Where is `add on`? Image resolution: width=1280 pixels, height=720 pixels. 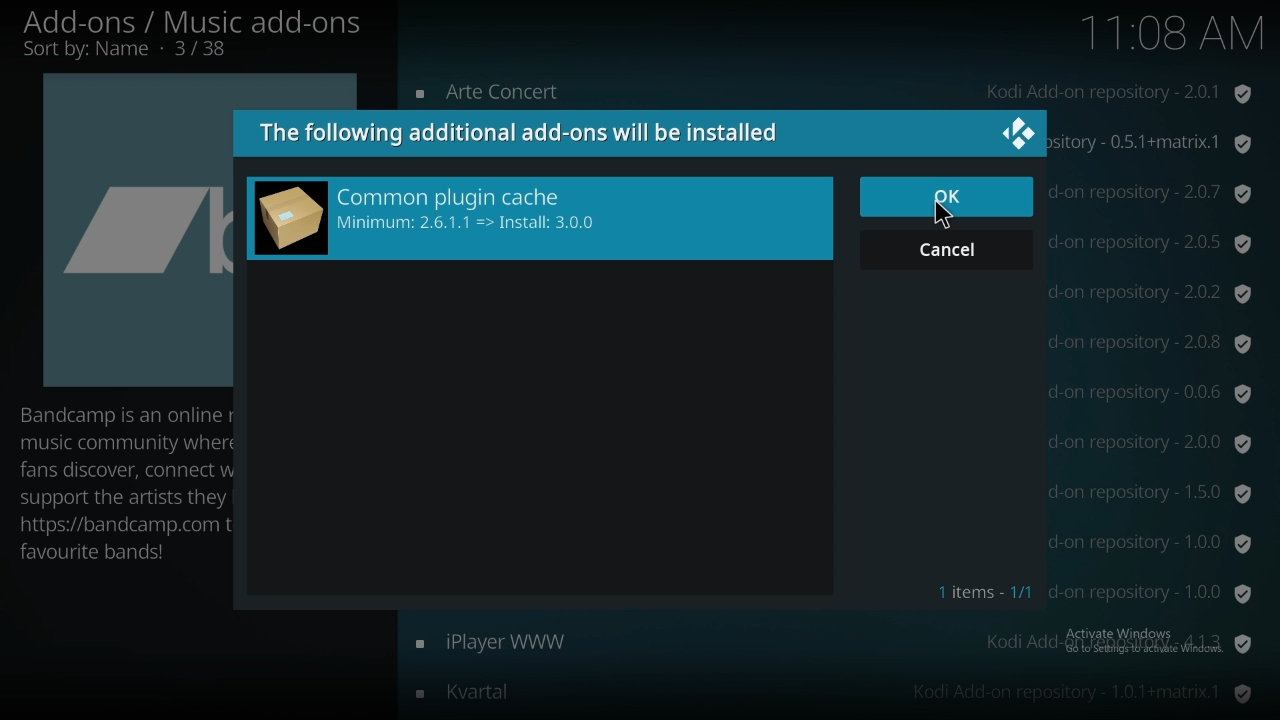 add on is located at coordinates (832, 643).